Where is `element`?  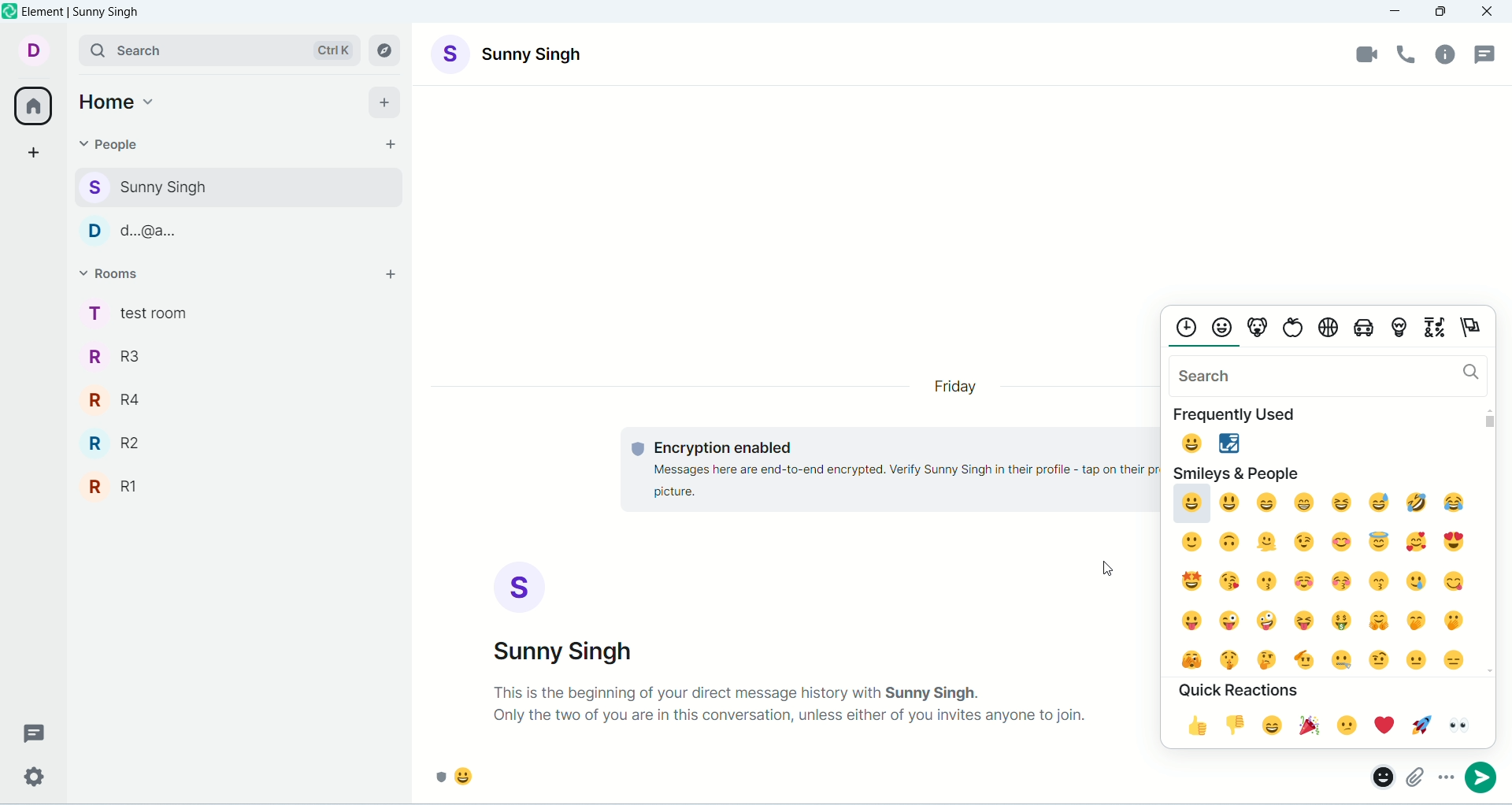 element is located at coordinates (83, 11).